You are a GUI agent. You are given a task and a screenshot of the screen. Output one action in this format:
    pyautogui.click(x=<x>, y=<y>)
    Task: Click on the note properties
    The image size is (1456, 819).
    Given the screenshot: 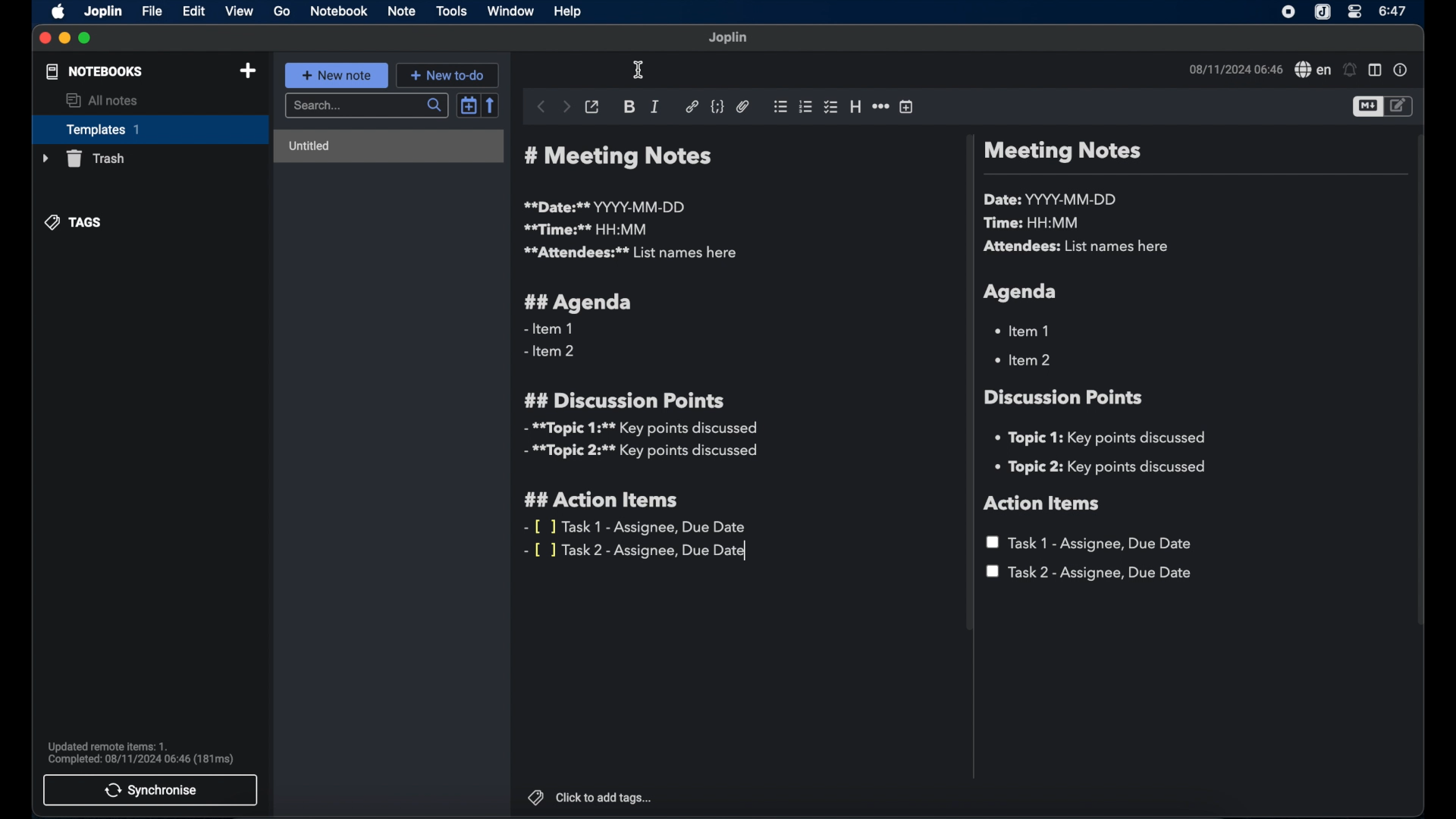 What is the action you would take?
    pyautogui.click(x=1402, y=71)
    